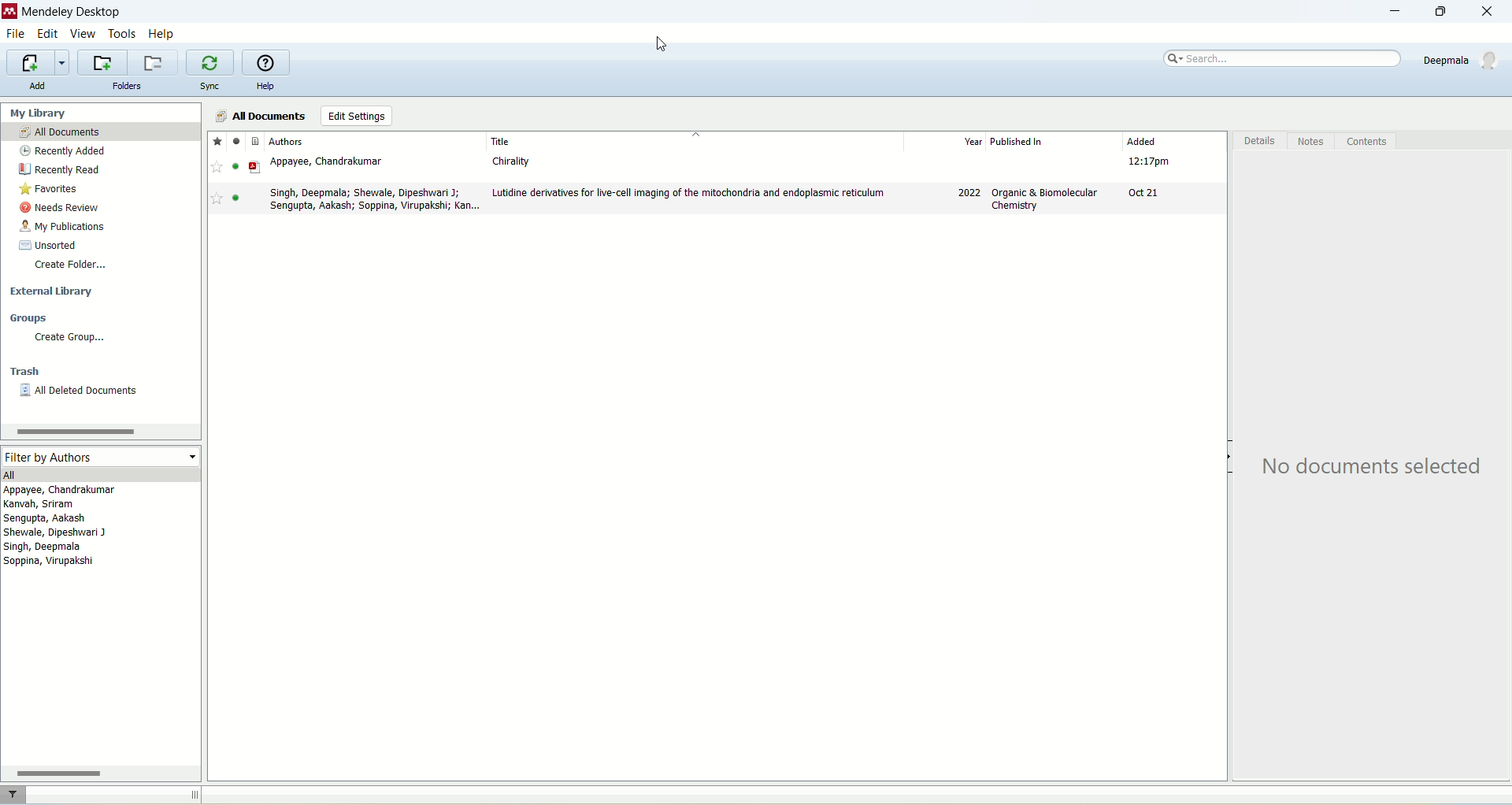 The height and width of the screenshot is (805, 1512). What do you see at coordinates (1010, 137) in the screenshot?
I see `year published in` at bounding box center [1010, 137].